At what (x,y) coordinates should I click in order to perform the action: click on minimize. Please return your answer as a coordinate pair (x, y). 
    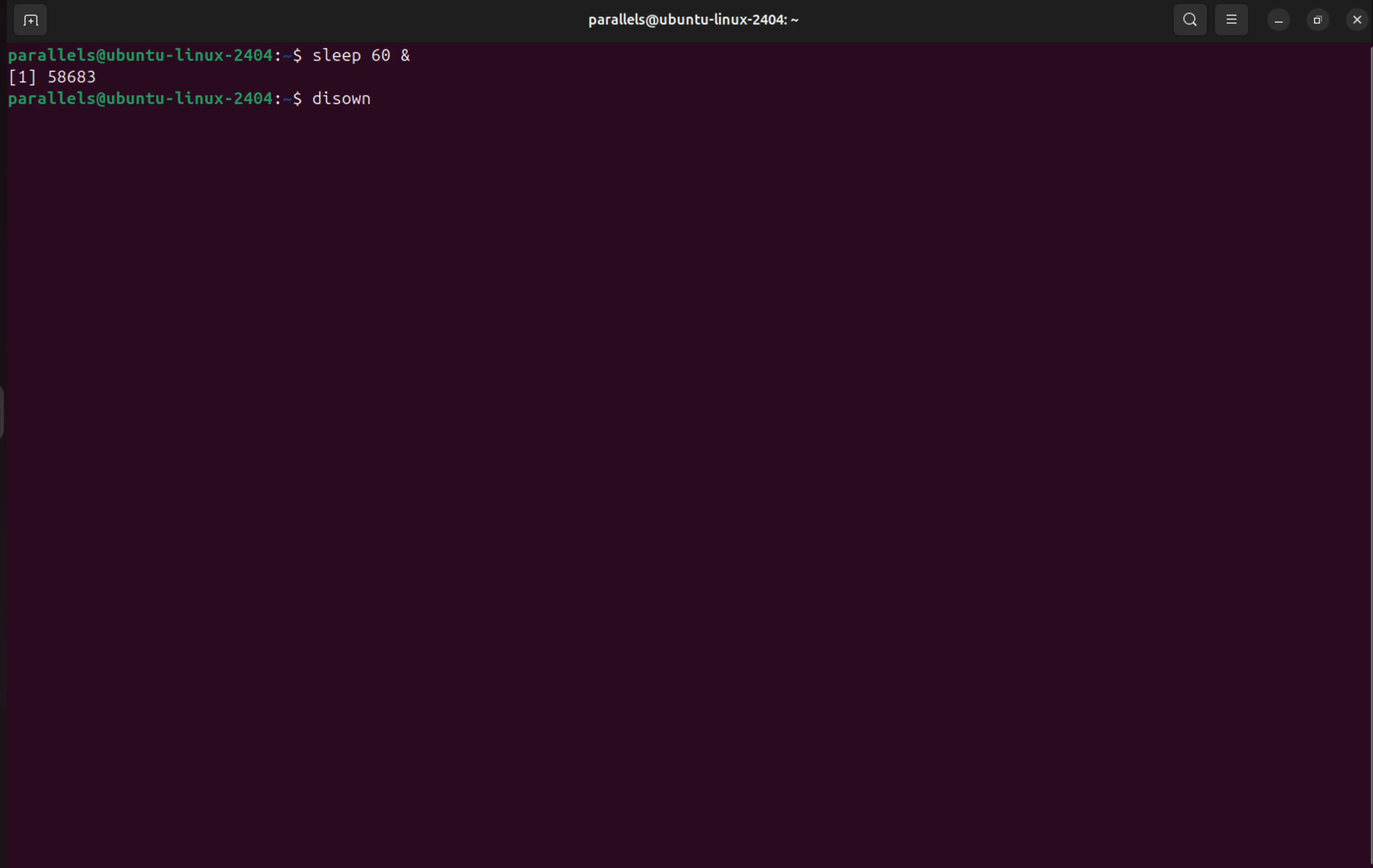
    Looking at the image, I should click on (1279, 21).